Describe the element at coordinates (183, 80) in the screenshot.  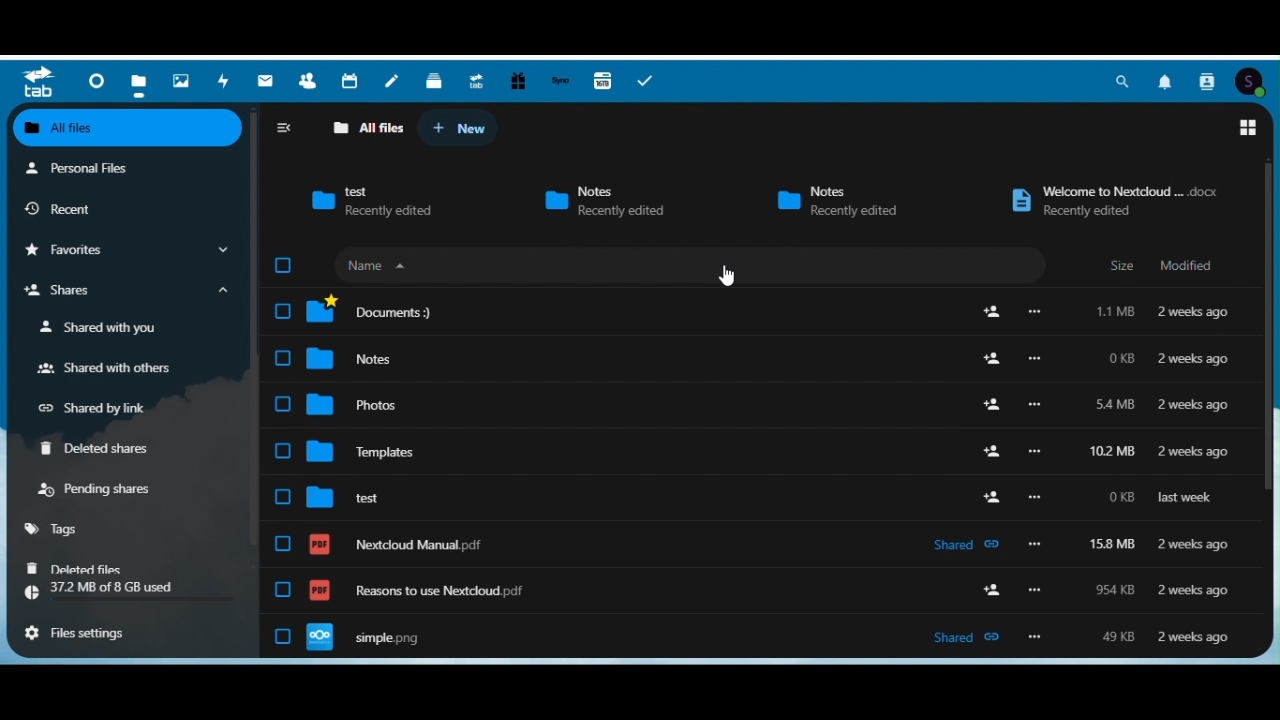
I see `Photos` at that location.